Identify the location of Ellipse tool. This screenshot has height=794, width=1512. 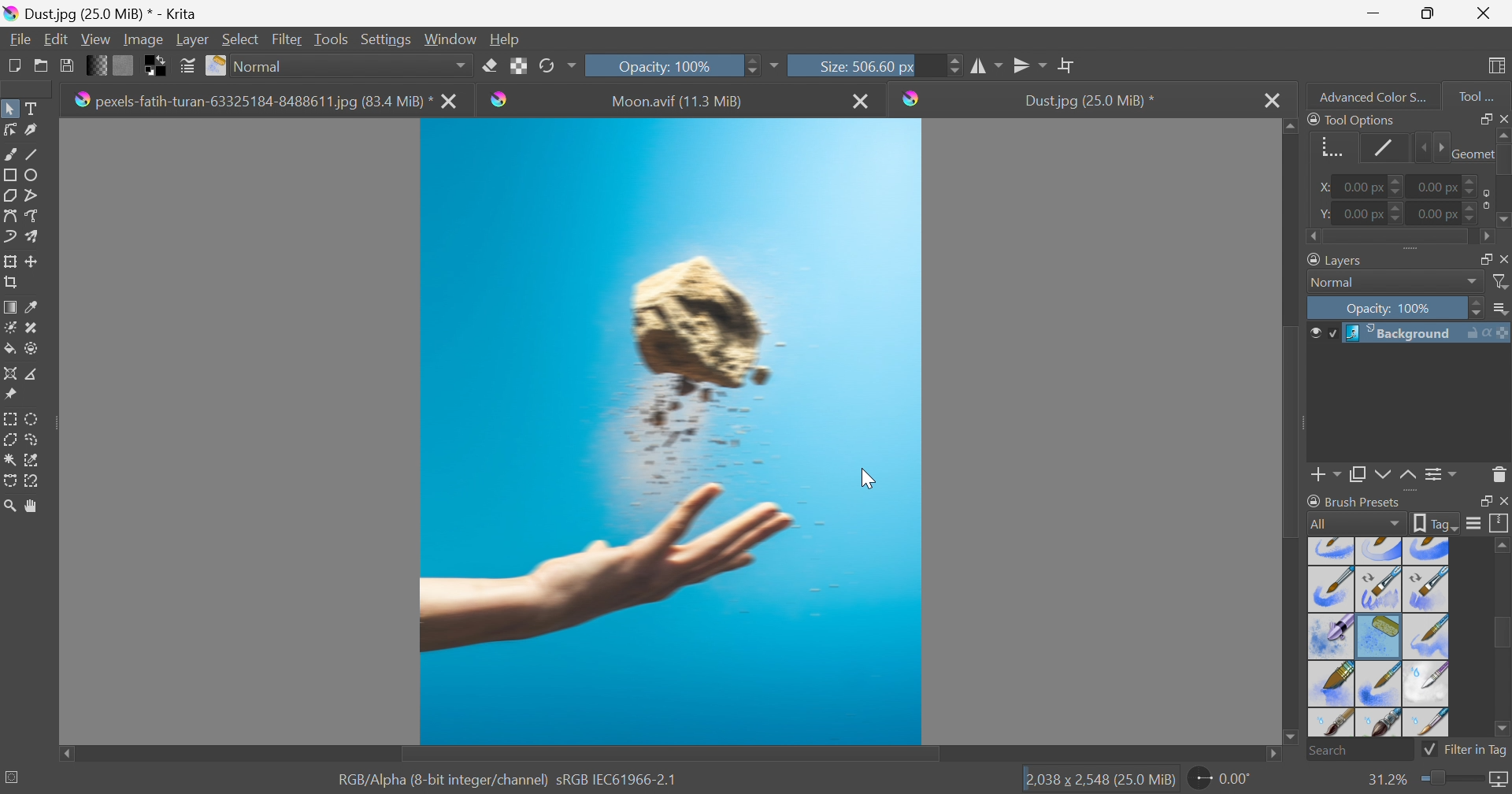
(36, 174).